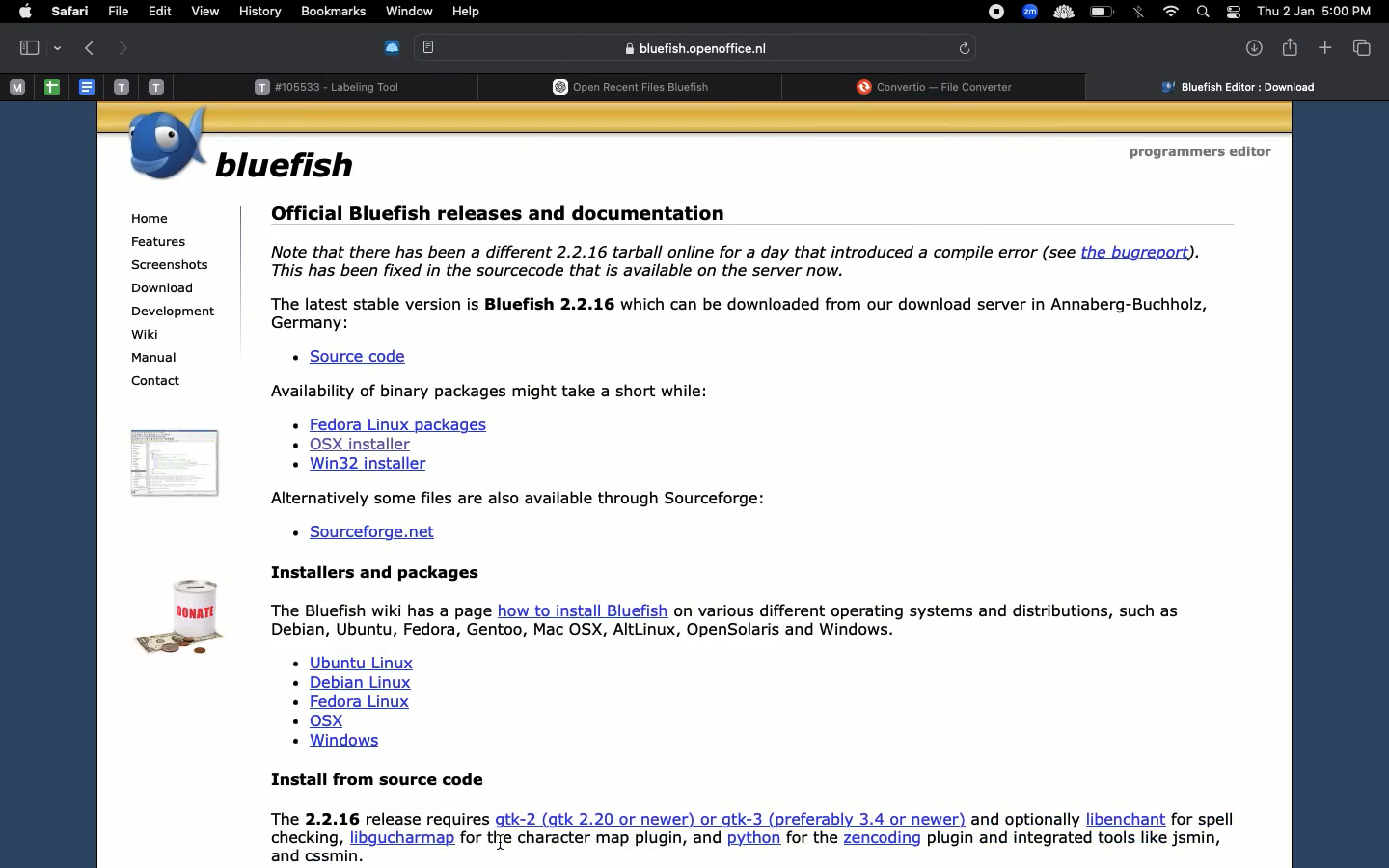 Image resolution: width=1389 pixels, height=868 pixels. I want to click on labelling tool, so click(337, 87).